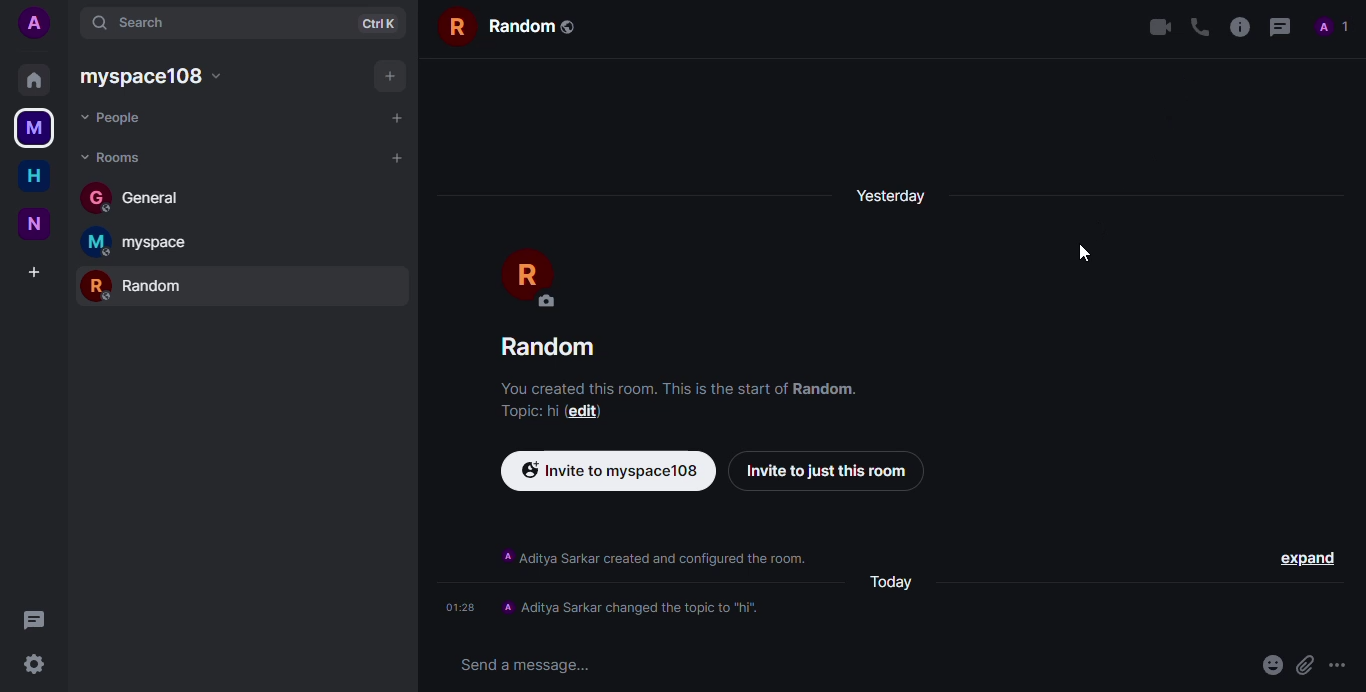 The width and height of the screenshot is (1366, 692). Describe the element at coordinates (113, 156) in the screenshot. I see `rooms` at that location.